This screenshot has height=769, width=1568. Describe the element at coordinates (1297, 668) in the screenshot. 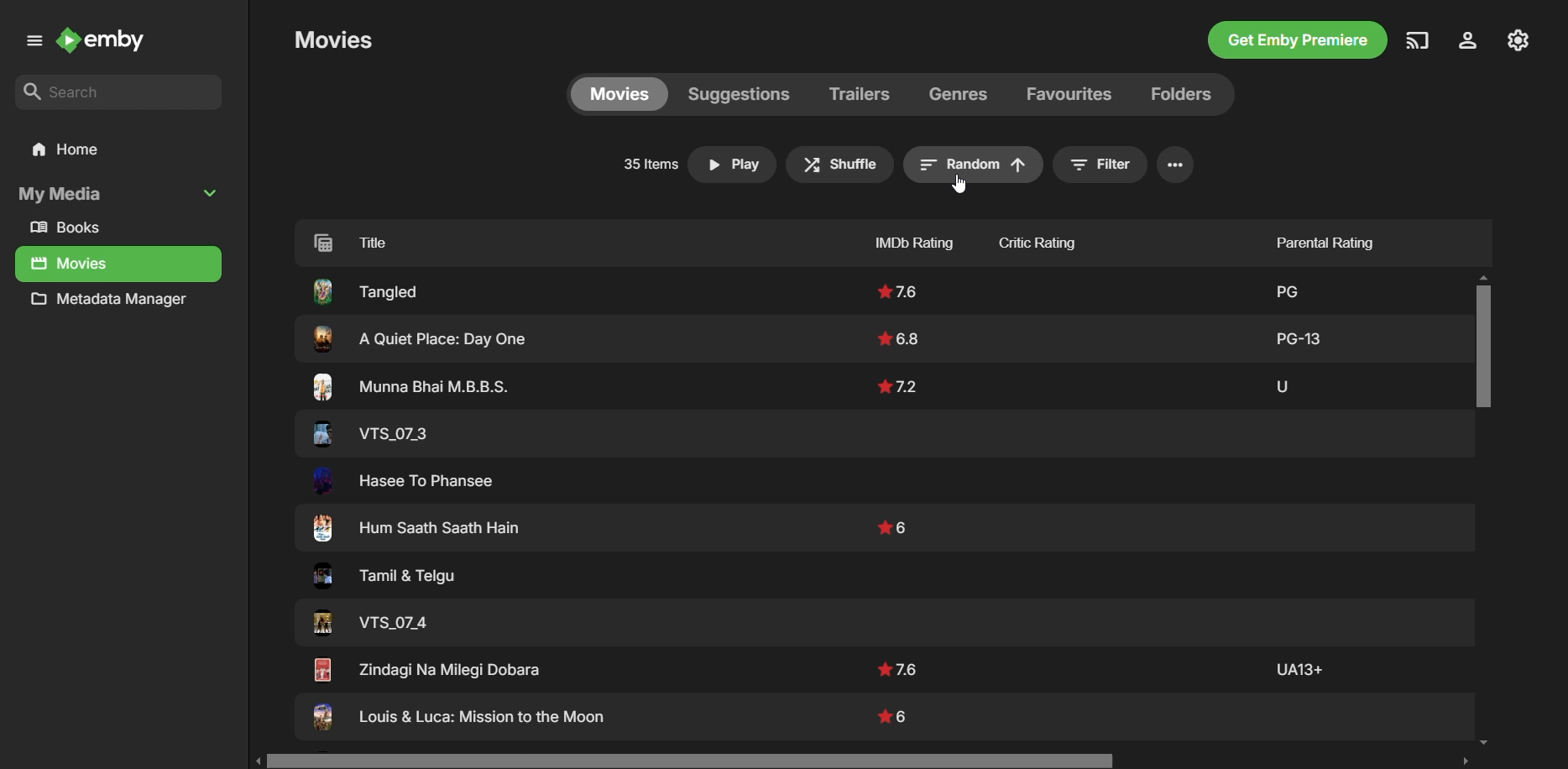

I see `` at that location.